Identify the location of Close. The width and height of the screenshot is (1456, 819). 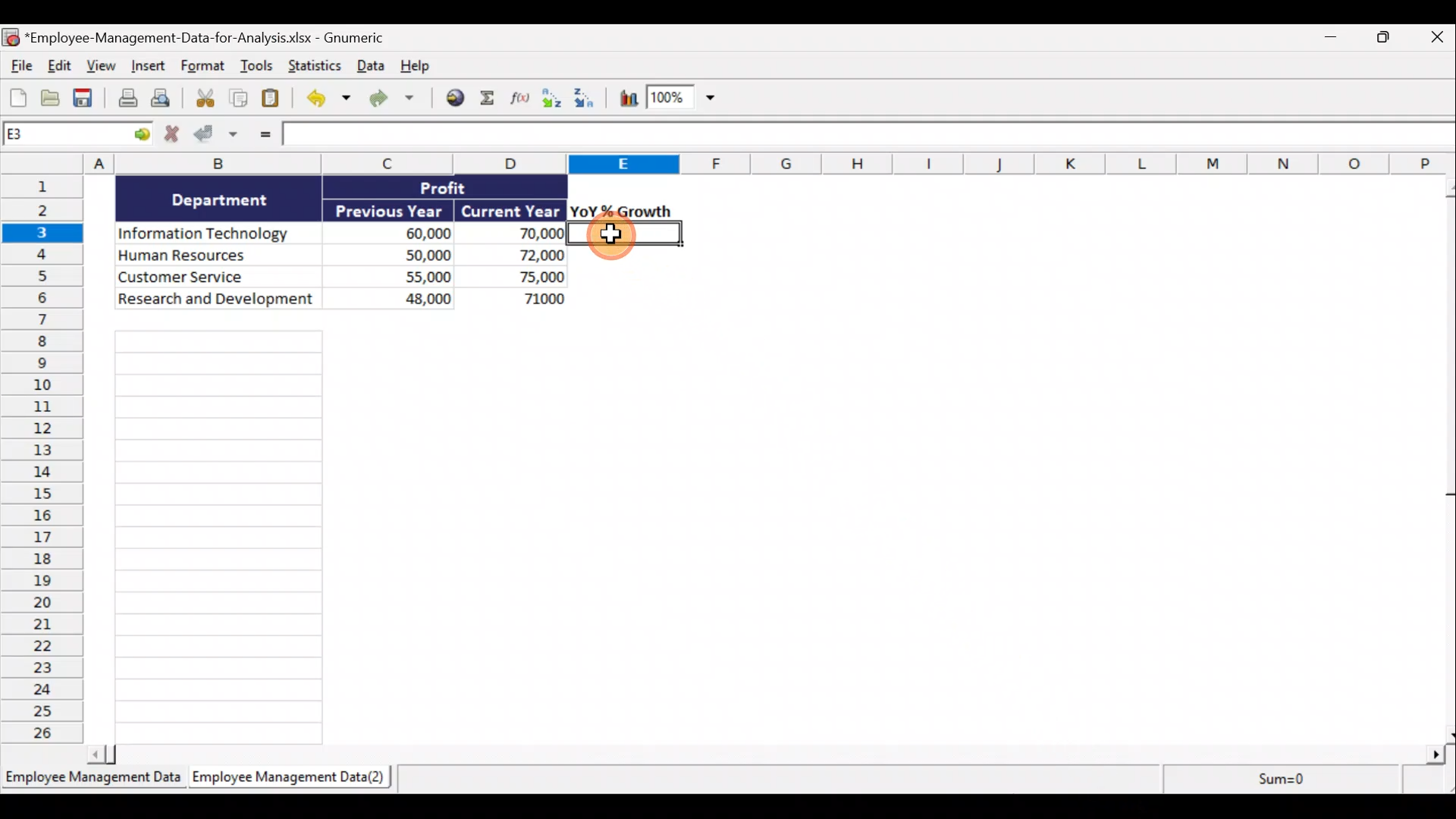
(1437, 36).